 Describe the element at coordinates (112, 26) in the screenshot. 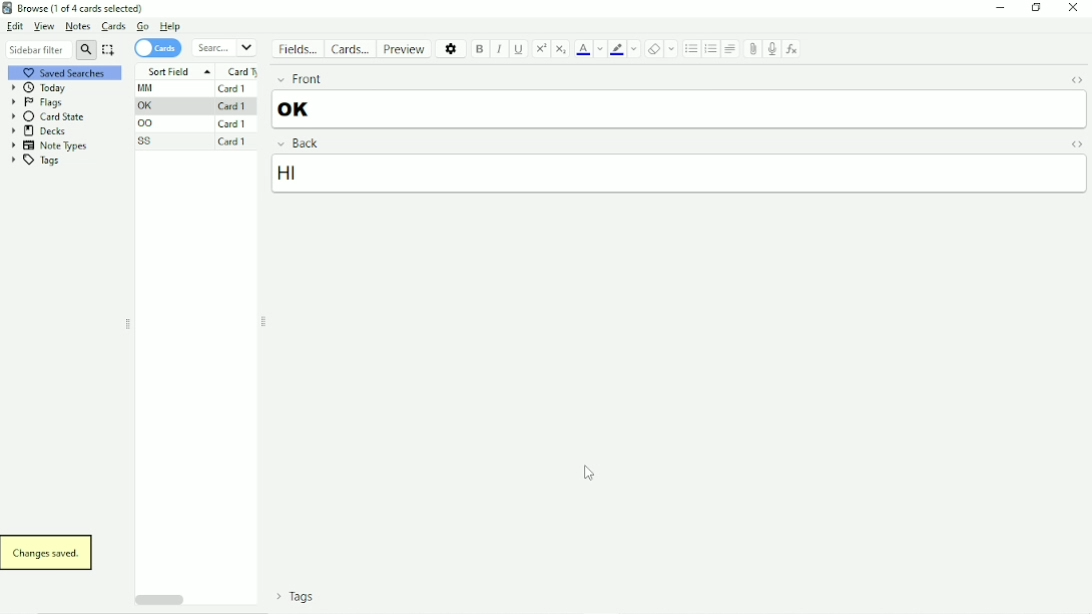

I see `Cards` at that location.